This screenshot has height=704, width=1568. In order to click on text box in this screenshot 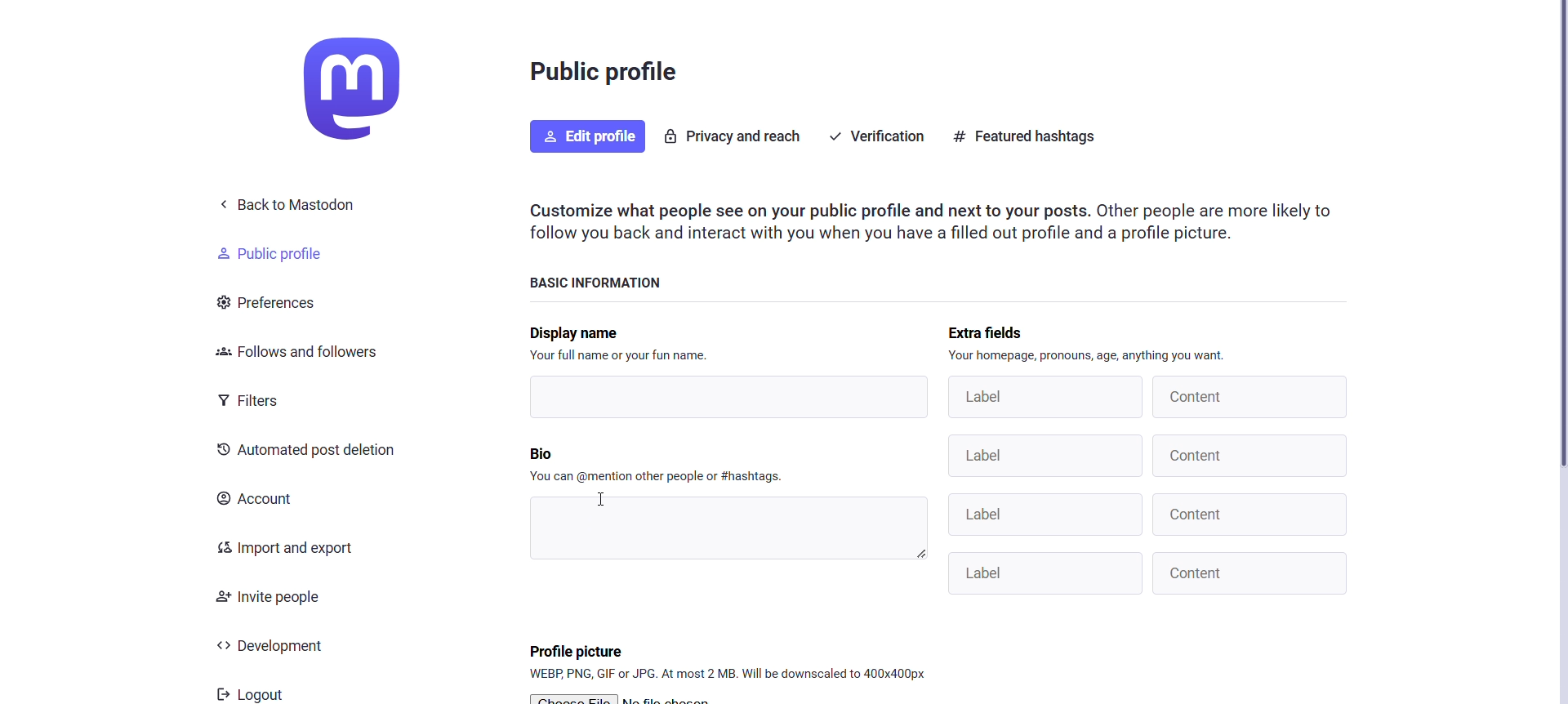, I will do `click(730, 398)`.